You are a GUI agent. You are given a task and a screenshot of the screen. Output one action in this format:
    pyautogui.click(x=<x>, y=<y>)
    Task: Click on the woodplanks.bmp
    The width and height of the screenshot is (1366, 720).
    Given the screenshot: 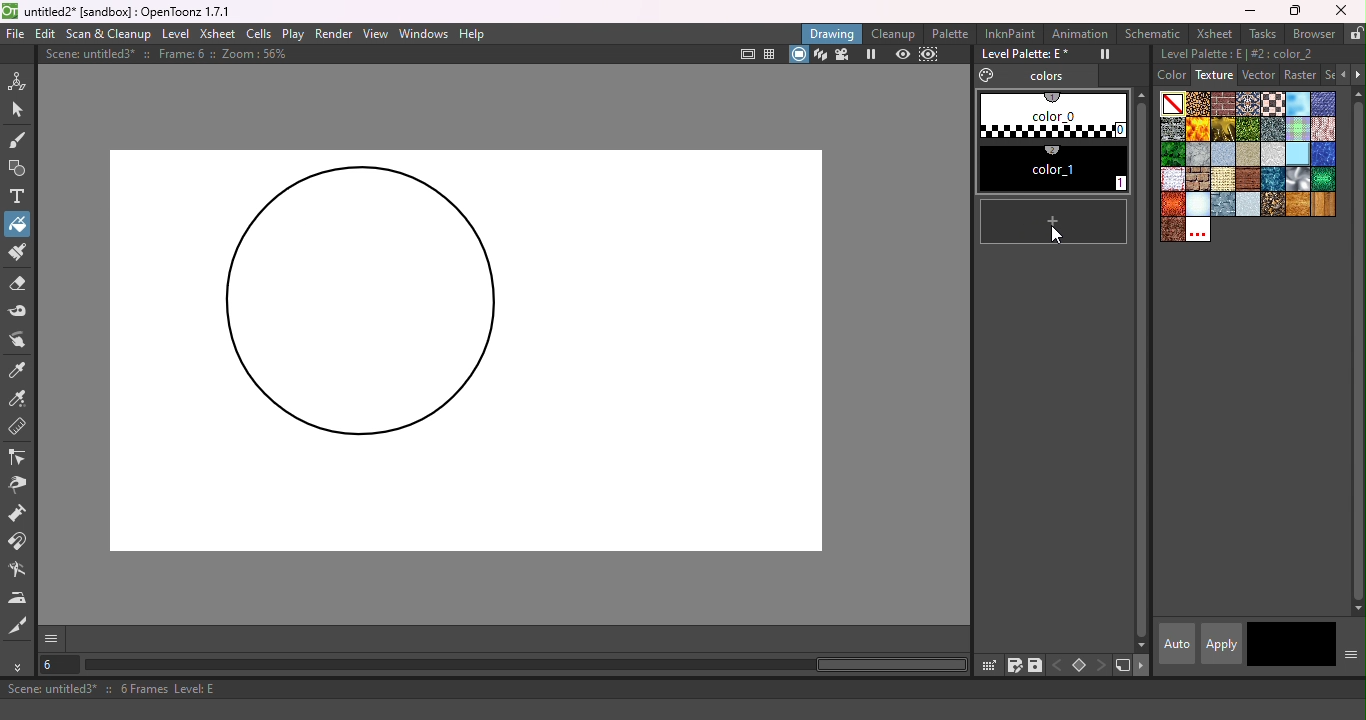 What is the action you would take?
    pyautogui.click(x=1324, y=205)
    